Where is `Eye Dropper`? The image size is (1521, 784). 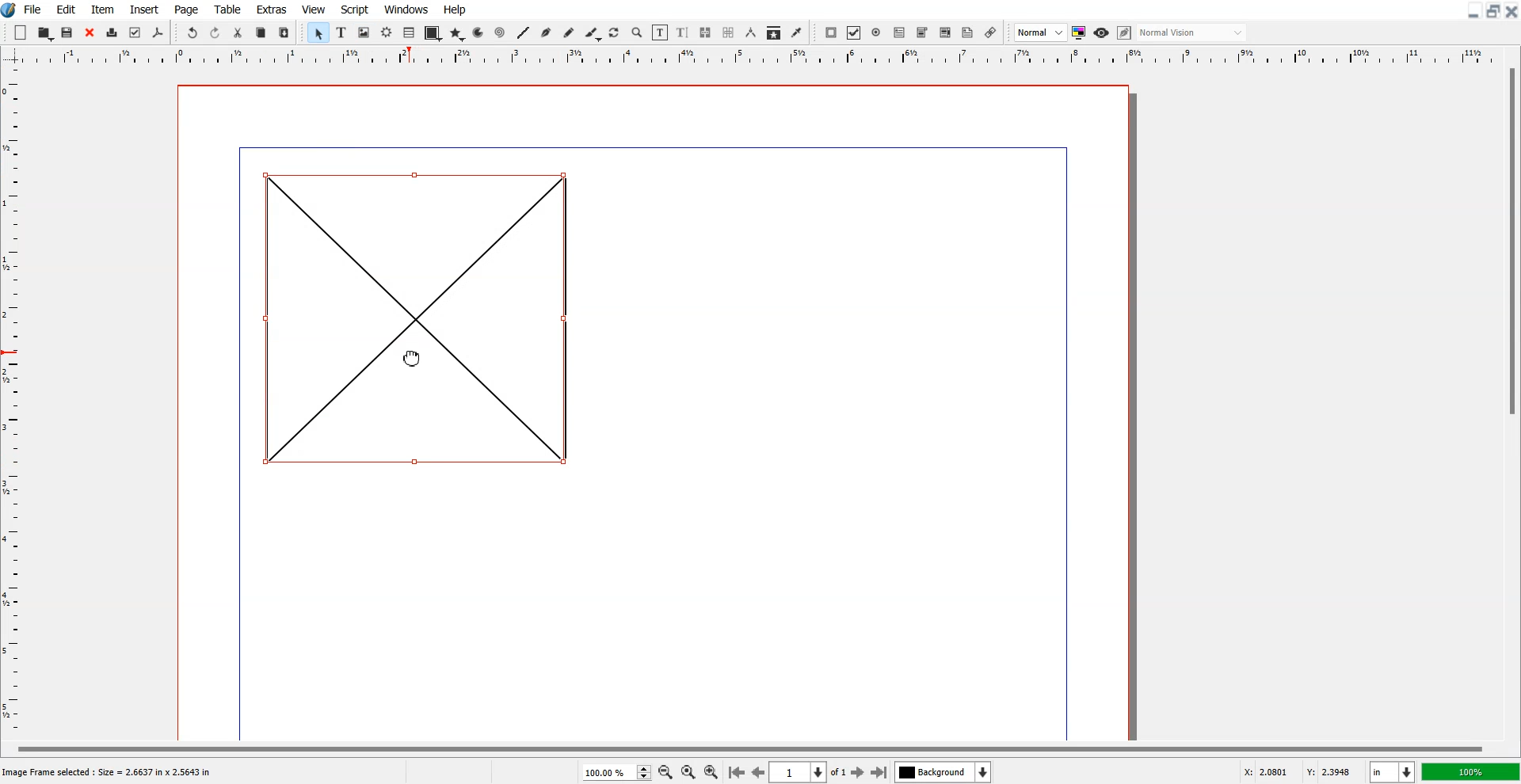 Eye Dropper is located at coordinates (796, 32).